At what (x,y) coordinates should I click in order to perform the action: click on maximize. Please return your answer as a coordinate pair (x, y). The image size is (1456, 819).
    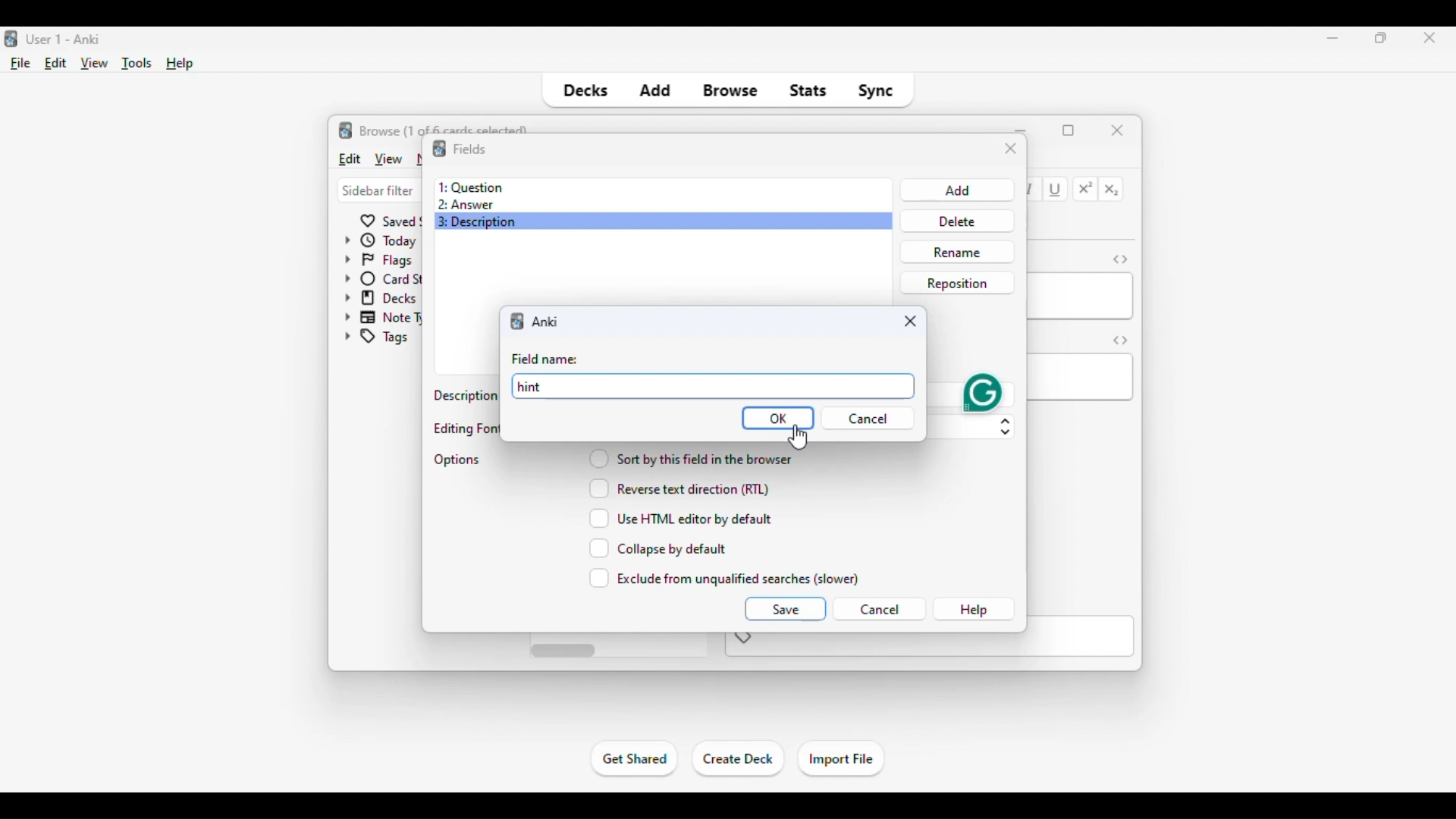
    Looking at the image, I should click on (1382, 37).